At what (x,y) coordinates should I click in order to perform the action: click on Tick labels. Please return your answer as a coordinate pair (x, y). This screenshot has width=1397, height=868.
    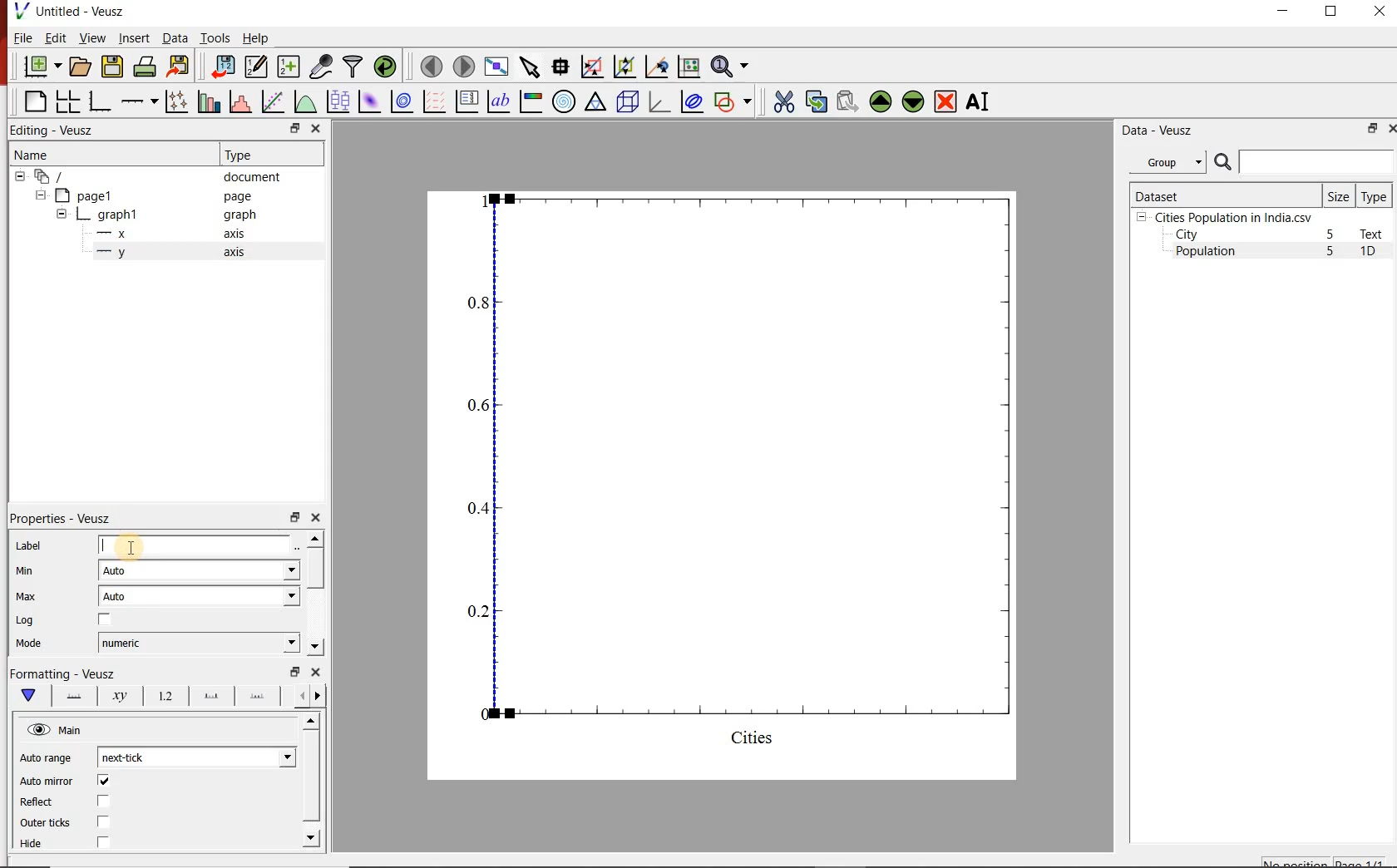
    Looking at the image, I should click on (161, 698).